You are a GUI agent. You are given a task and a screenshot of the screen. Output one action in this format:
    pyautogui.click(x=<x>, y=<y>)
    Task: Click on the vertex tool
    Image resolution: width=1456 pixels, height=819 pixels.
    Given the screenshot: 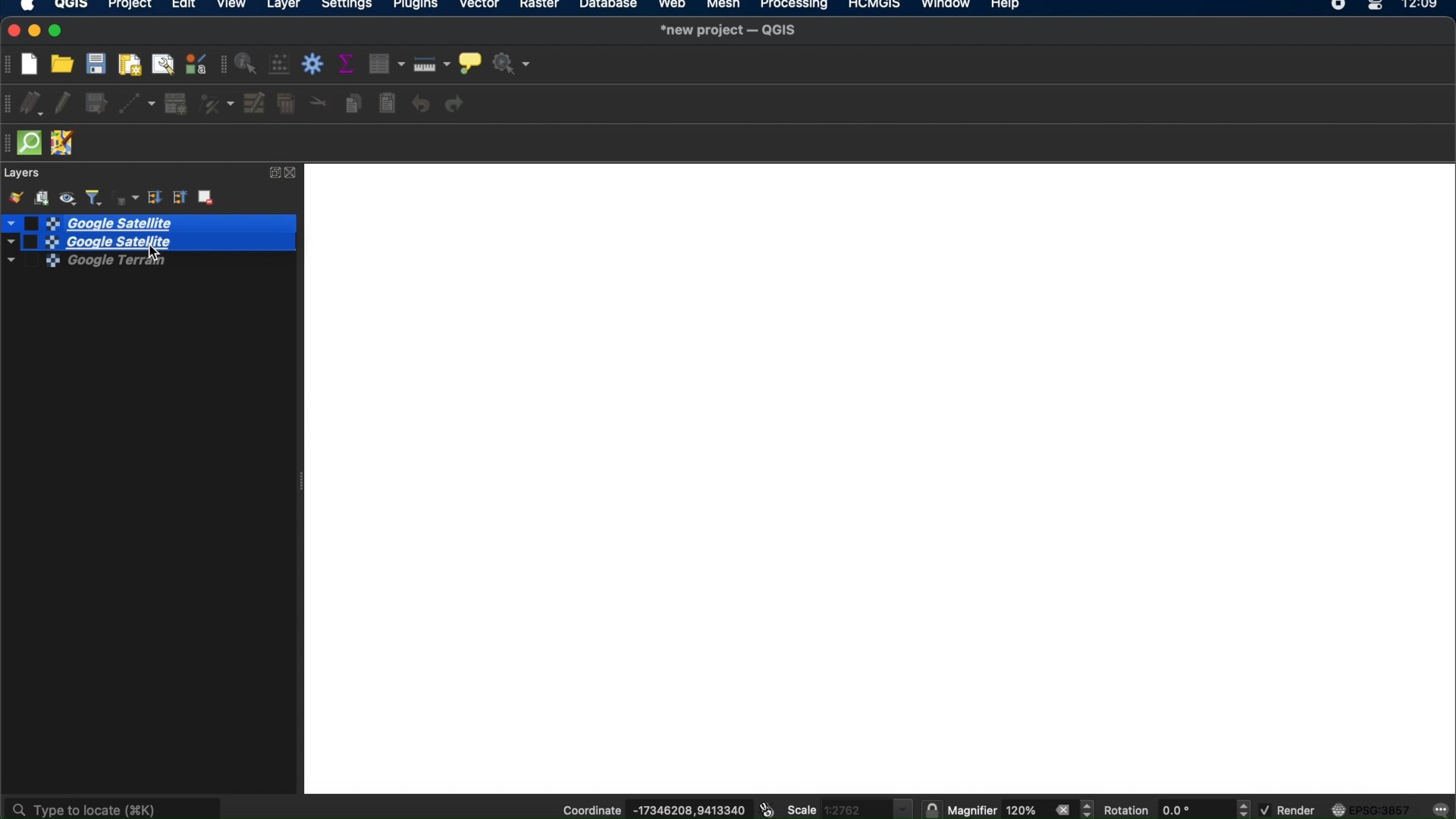 What is the action you would take?
    pyautogui.click(x=217, y=105)
    